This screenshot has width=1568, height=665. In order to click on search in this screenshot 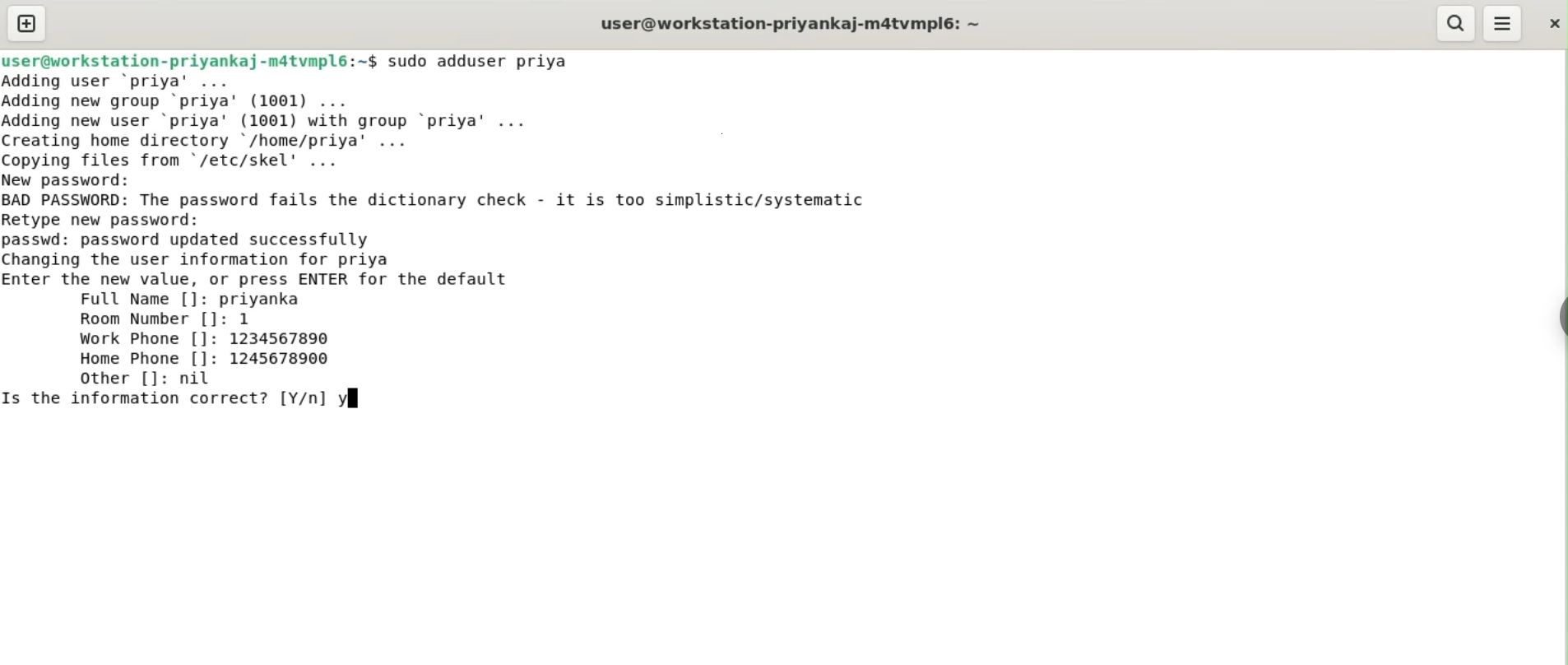, I will do `click(1457, 24)`.